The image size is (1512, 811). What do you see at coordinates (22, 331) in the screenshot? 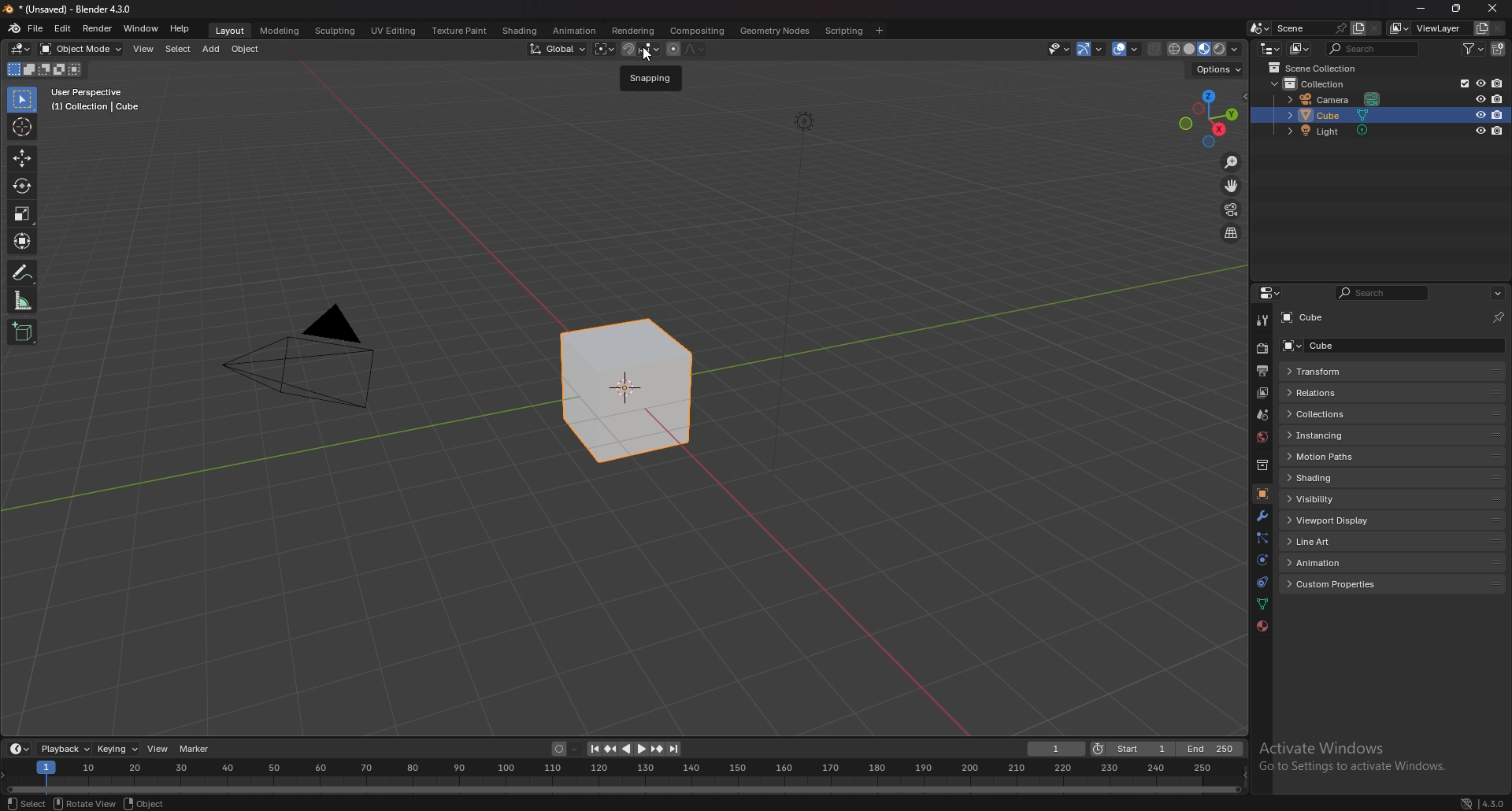
I see `add cube` at bounding box center [22, 331].